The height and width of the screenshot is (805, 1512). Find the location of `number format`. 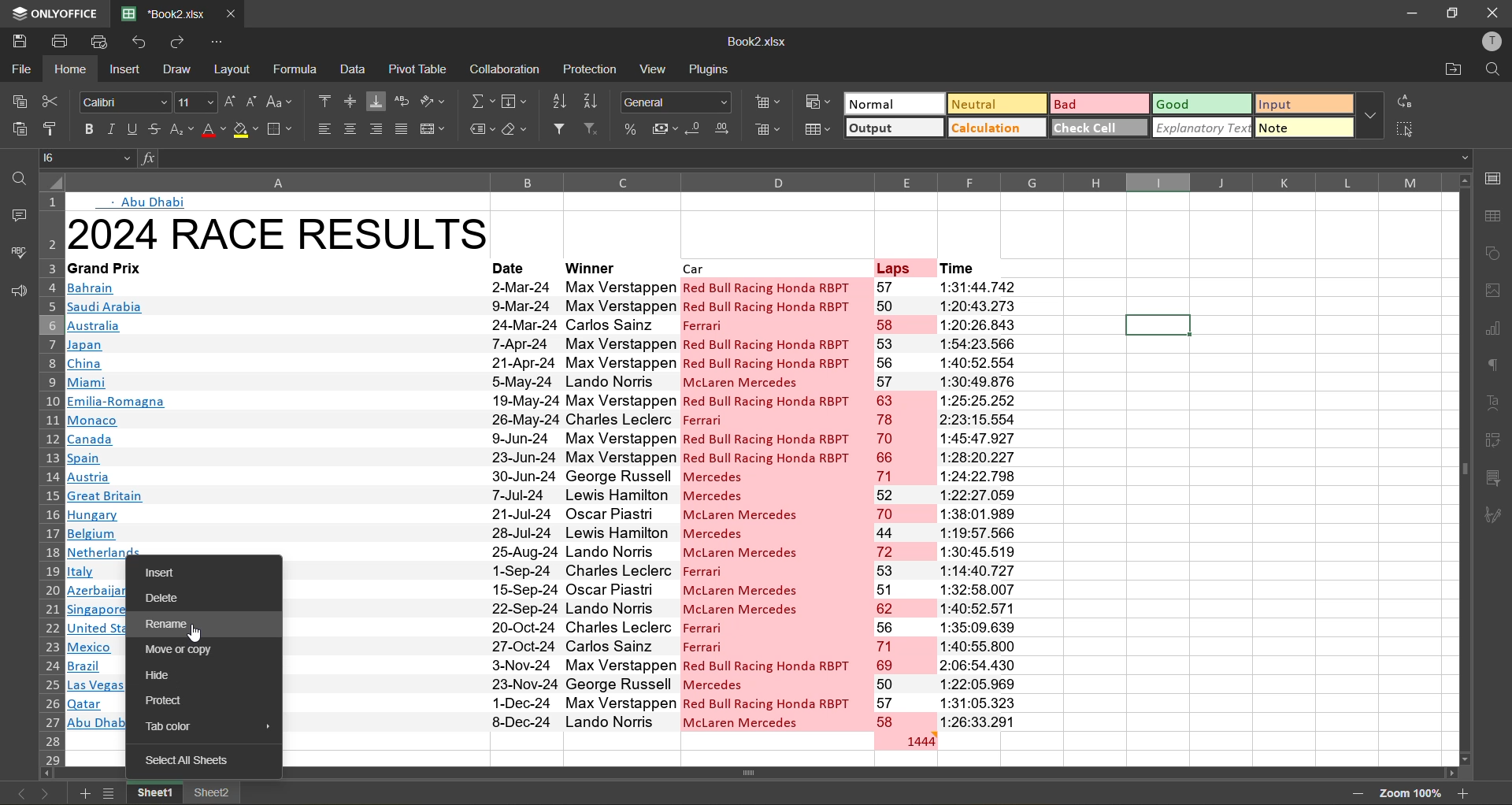

number format is located at coordinates (677, 101).